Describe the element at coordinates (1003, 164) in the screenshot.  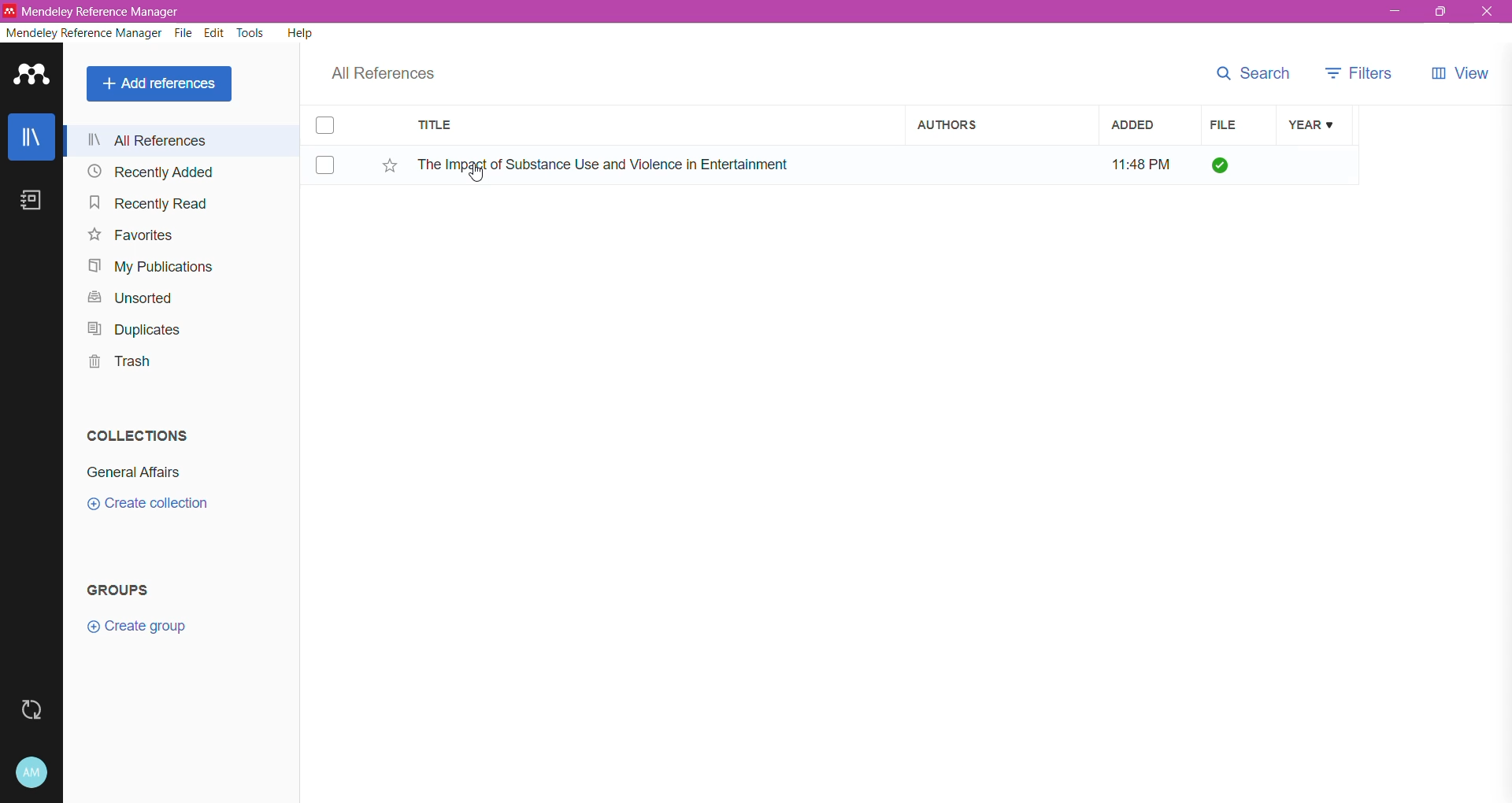
I see `Author Name of the reference` at that location.